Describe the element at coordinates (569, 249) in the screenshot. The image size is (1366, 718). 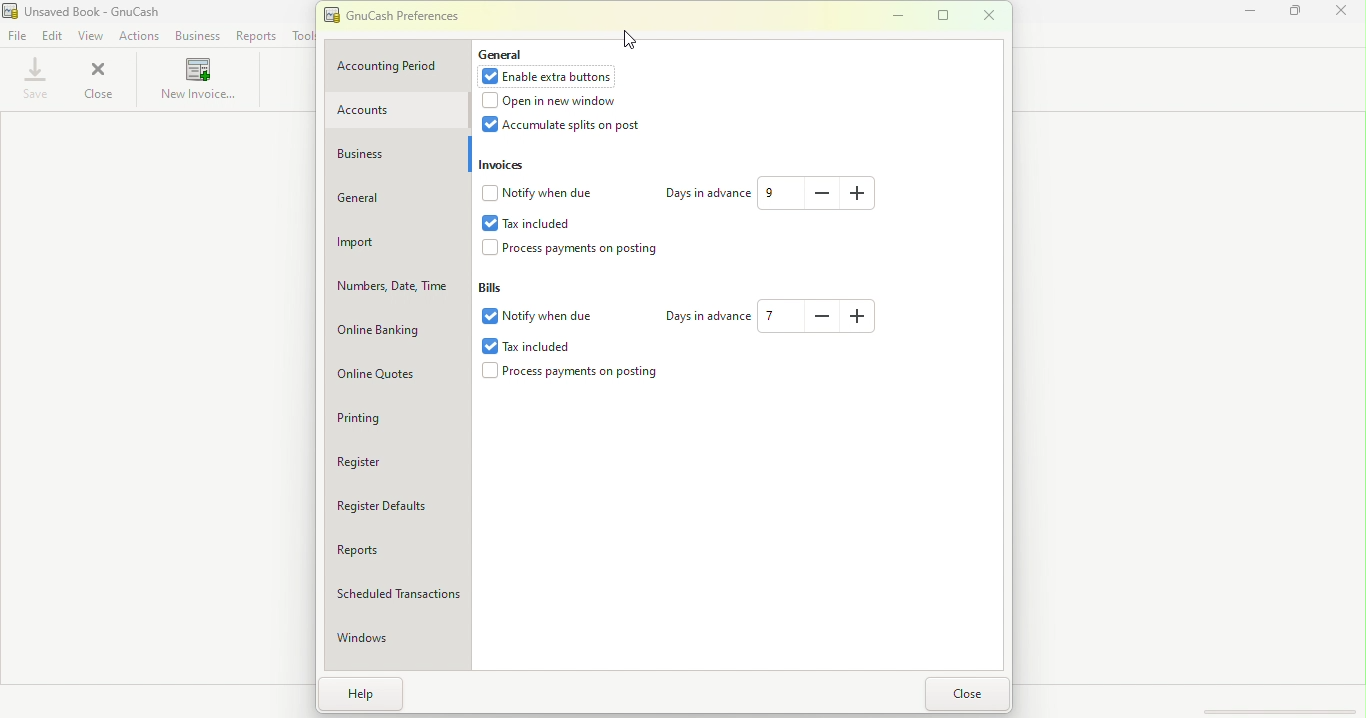
I see `Process payments on postings` at that location.